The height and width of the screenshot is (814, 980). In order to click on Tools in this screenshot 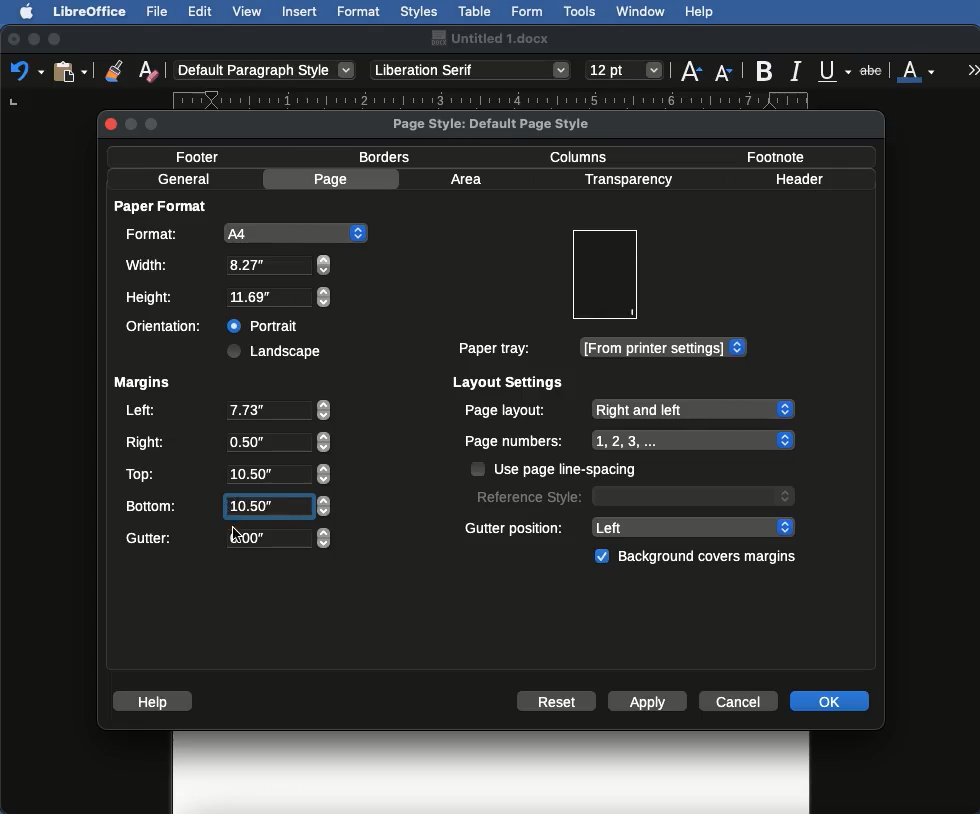, I will do `click(581, 12)`.